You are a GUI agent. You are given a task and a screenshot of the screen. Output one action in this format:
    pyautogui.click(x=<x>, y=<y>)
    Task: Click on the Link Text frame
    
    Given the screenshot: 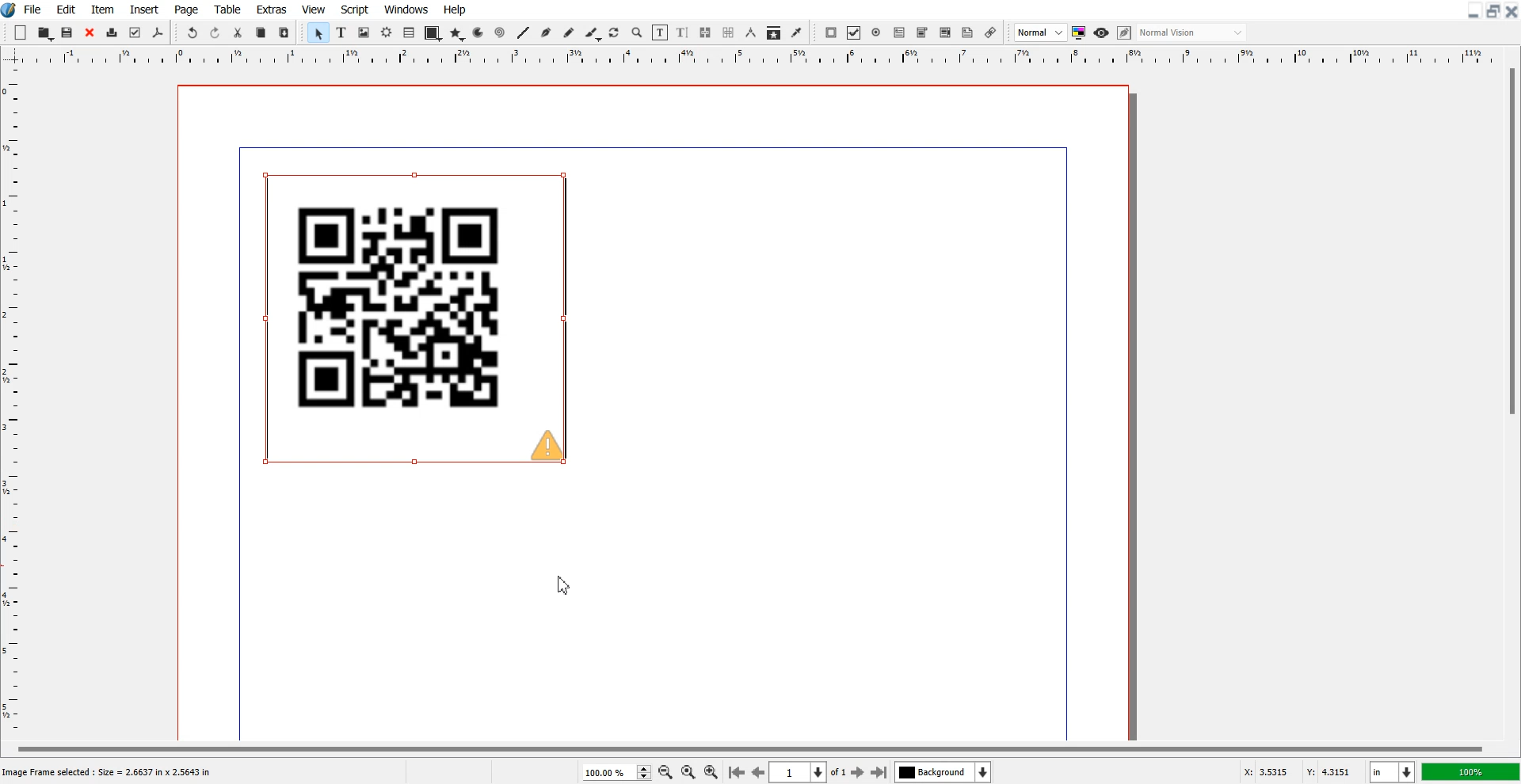 What is the action you would take?
    pyautogui.click(x=705, y=32)
    